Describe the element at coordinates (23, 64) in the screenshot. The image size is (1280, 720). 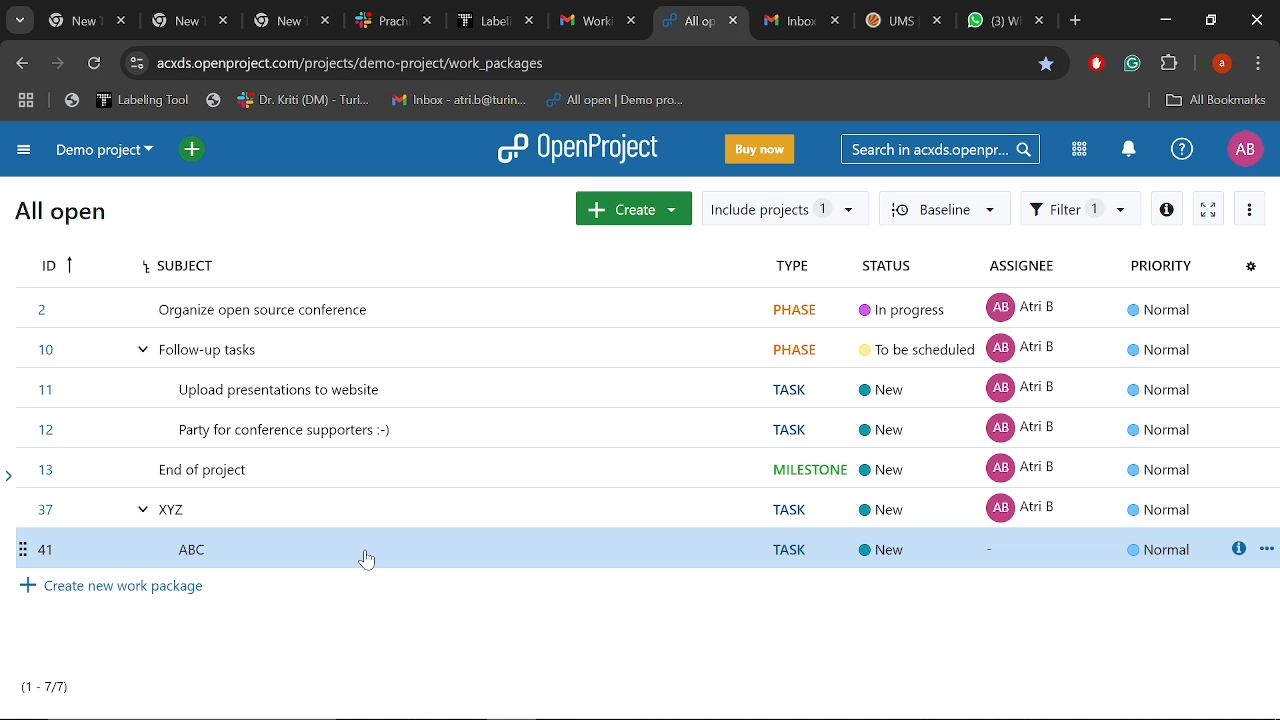
I see `Previous page` at that location.